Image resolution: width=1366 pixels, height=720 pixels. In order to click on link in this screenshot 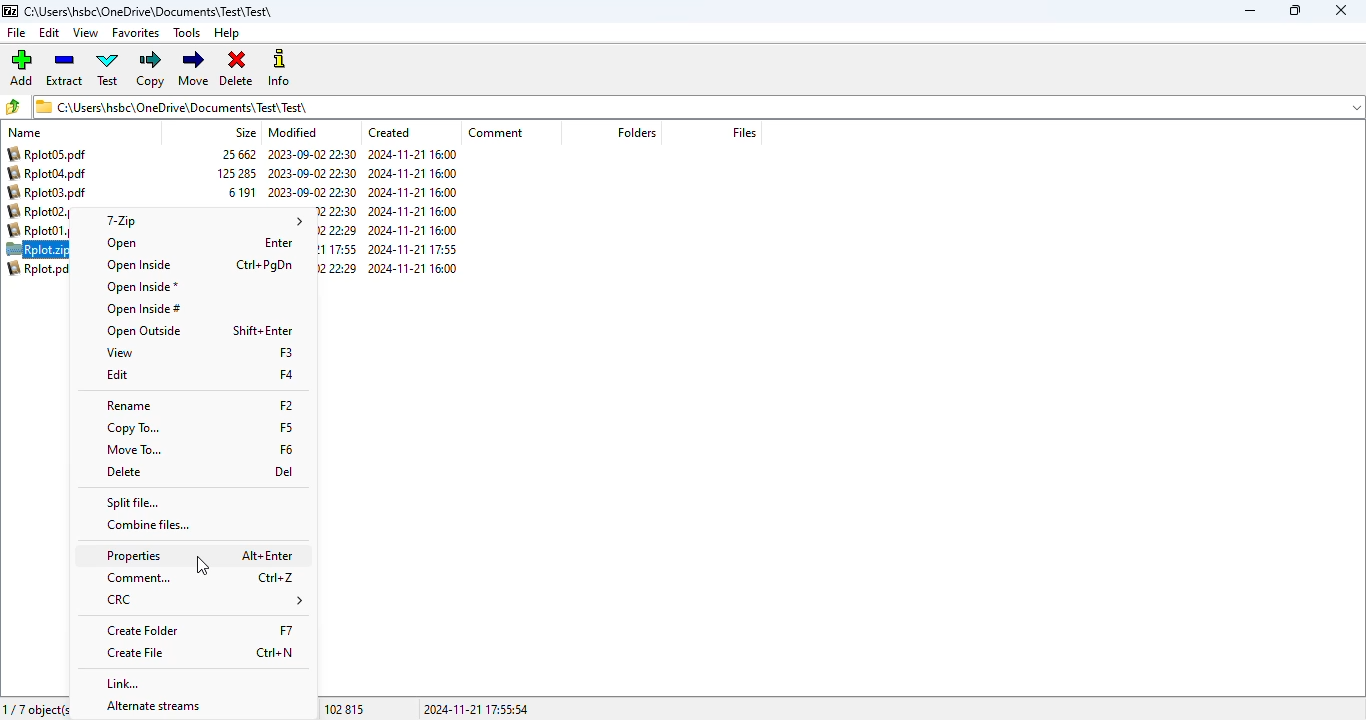, I will do `click(122, 684)`.